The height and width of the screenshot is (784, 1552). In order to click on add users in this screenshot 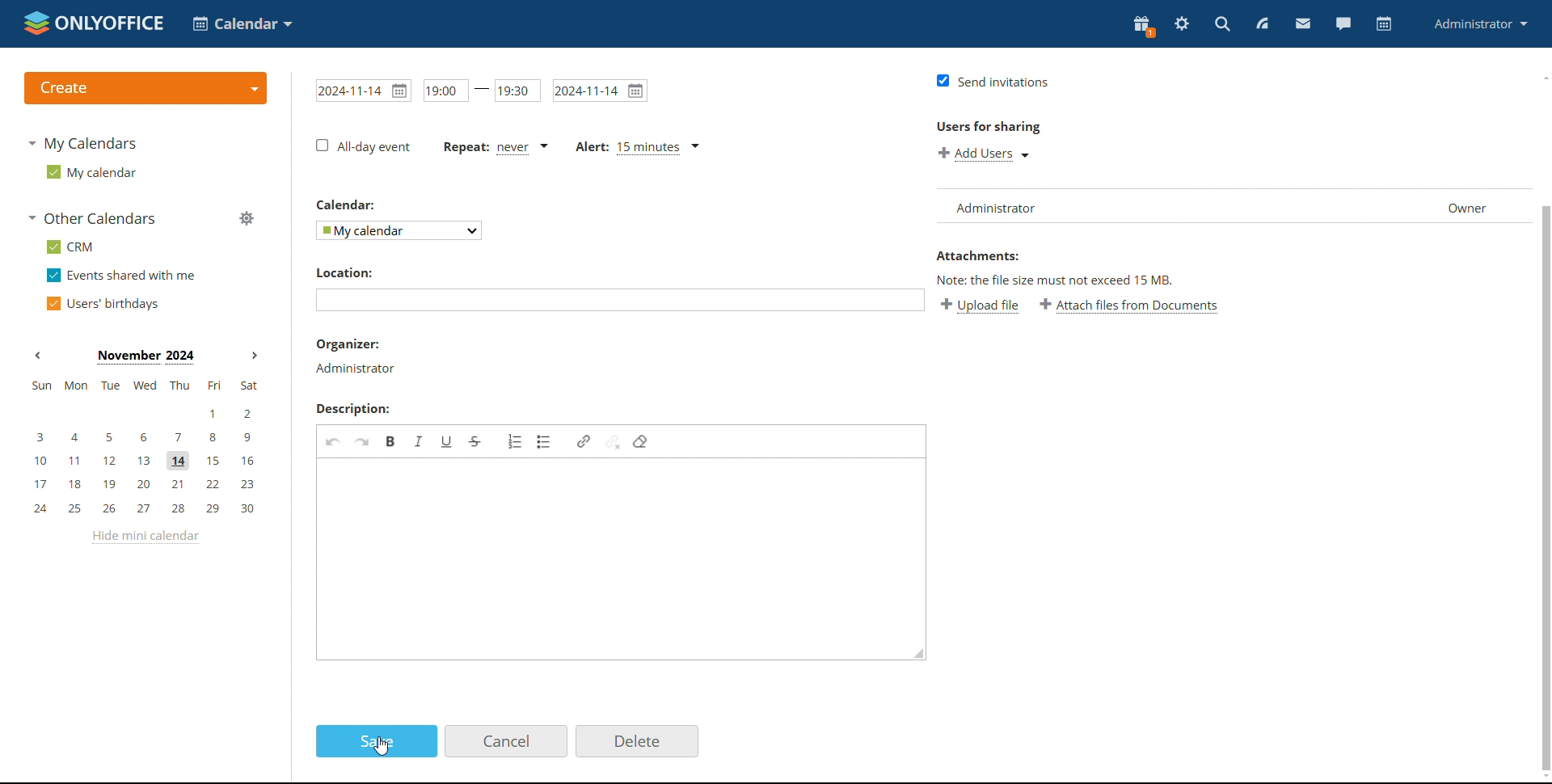, I will do `click(983, 155)`.